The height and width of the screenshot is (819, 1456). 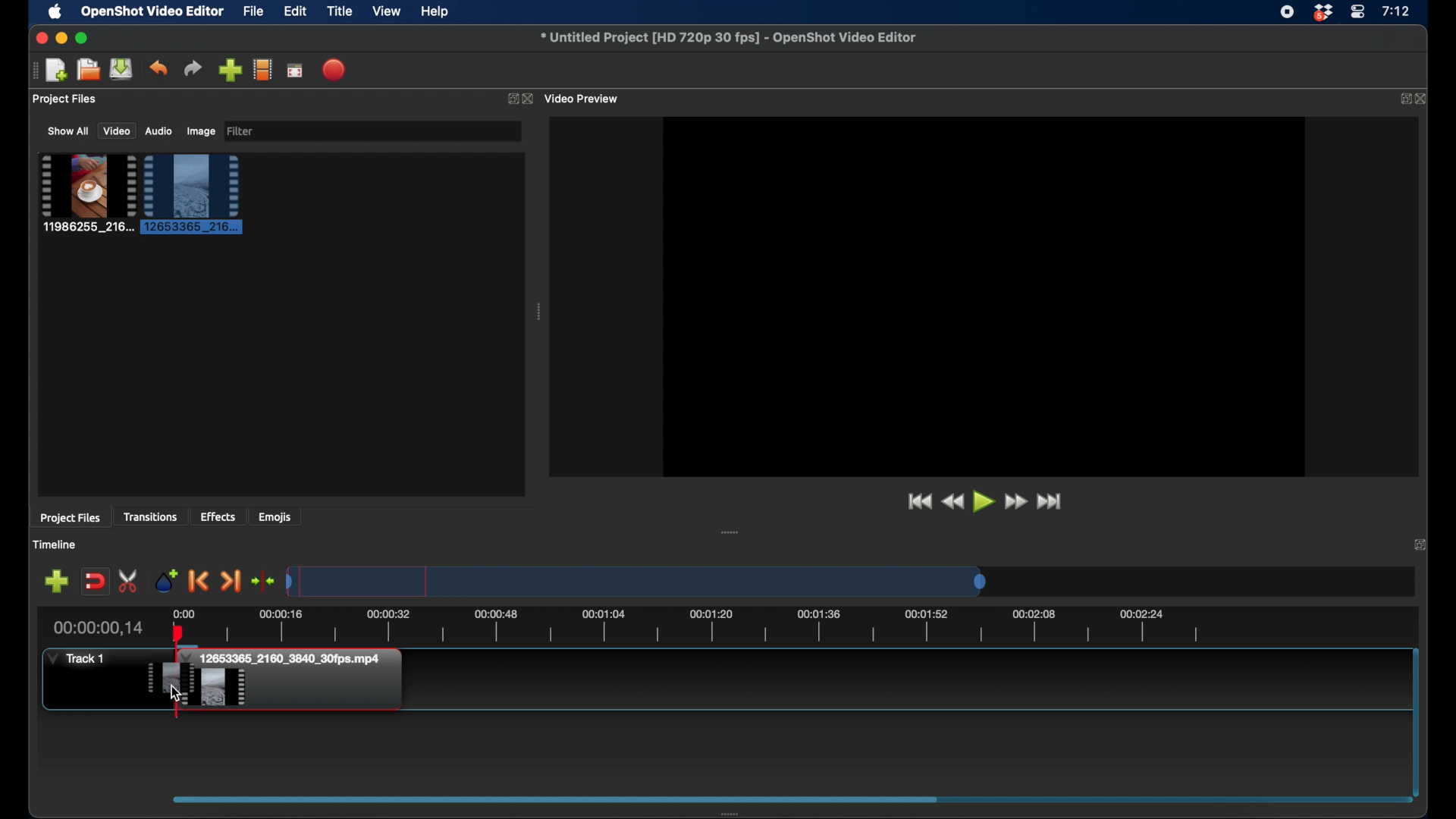 I want to click on jump to start, so click(x=919, y=502).